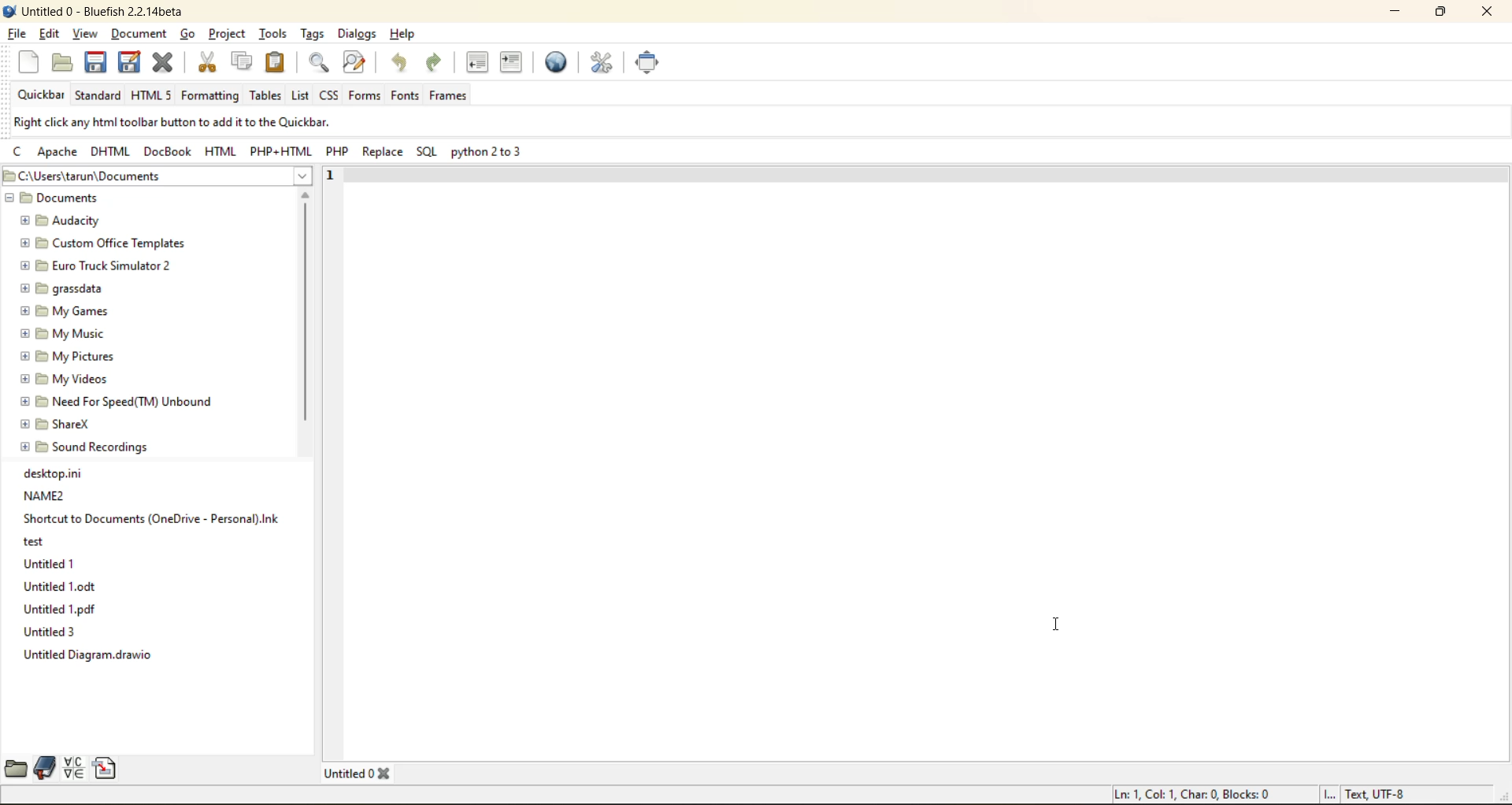  I want to click on tabs, so click(361, 772).